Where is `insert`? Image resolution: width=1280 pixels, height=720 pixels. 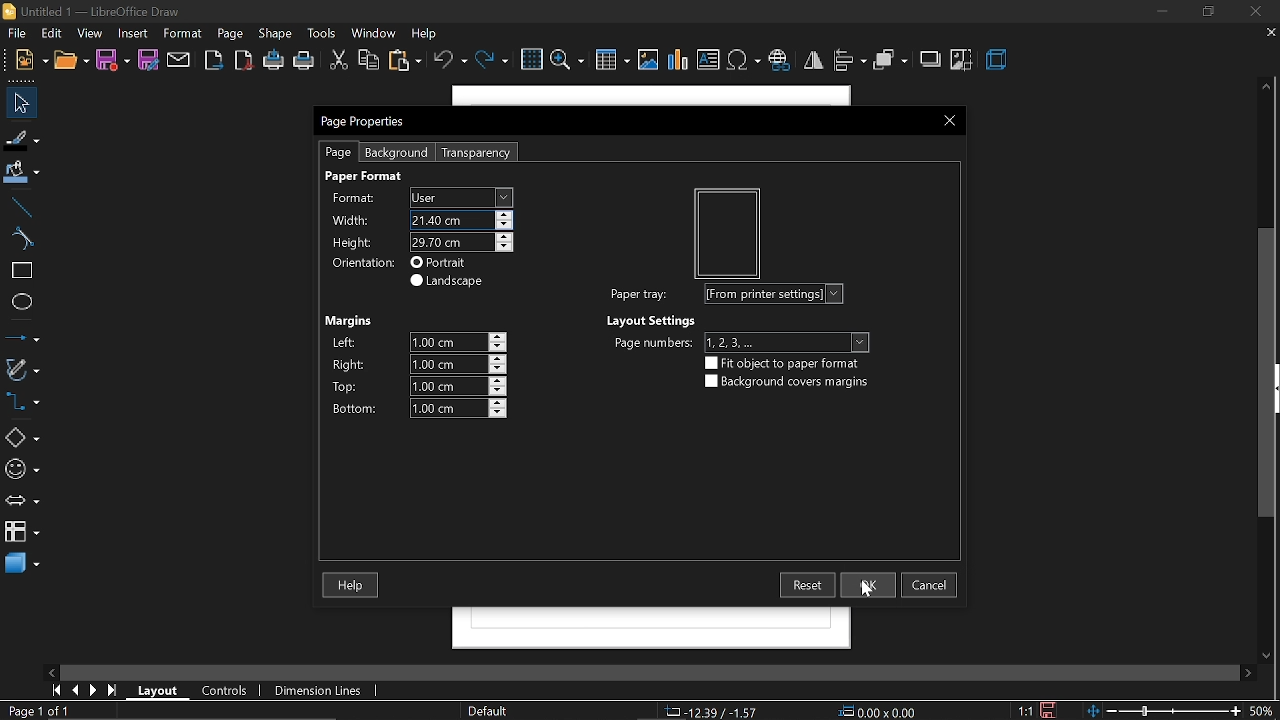
insert is located at coordinates (130, 33).